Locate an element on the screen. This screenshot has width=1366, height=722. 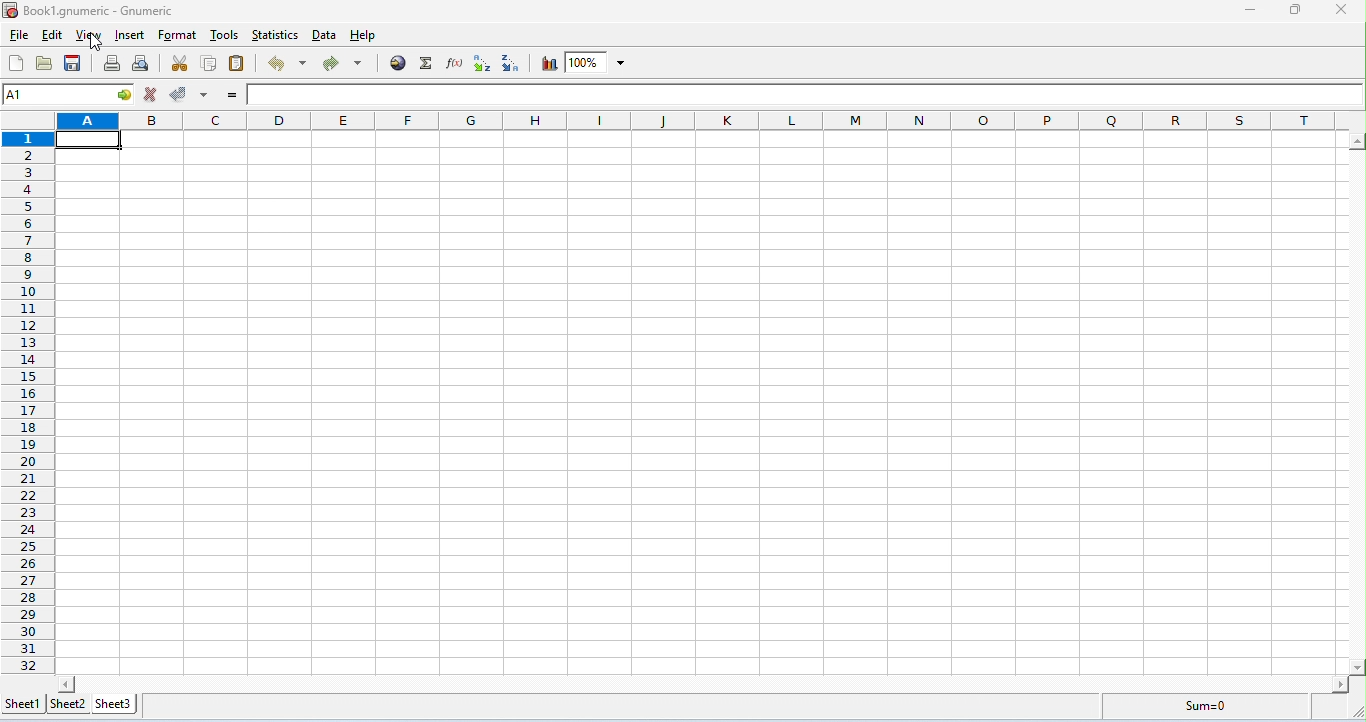
insert hyper link is located at coordinates (400, 62).